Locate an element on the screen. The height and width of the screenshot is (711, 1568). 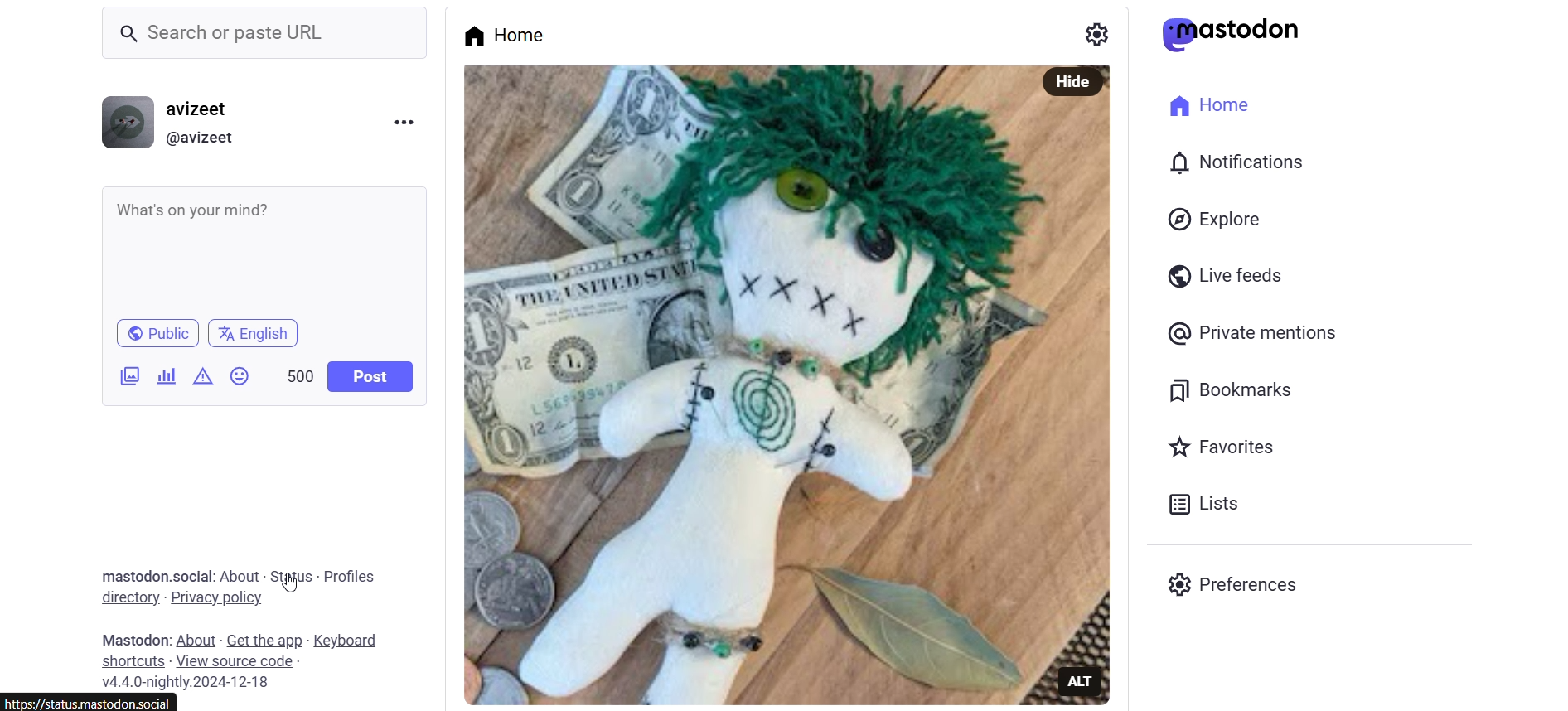
word limit is located at coordinates (298, 372).